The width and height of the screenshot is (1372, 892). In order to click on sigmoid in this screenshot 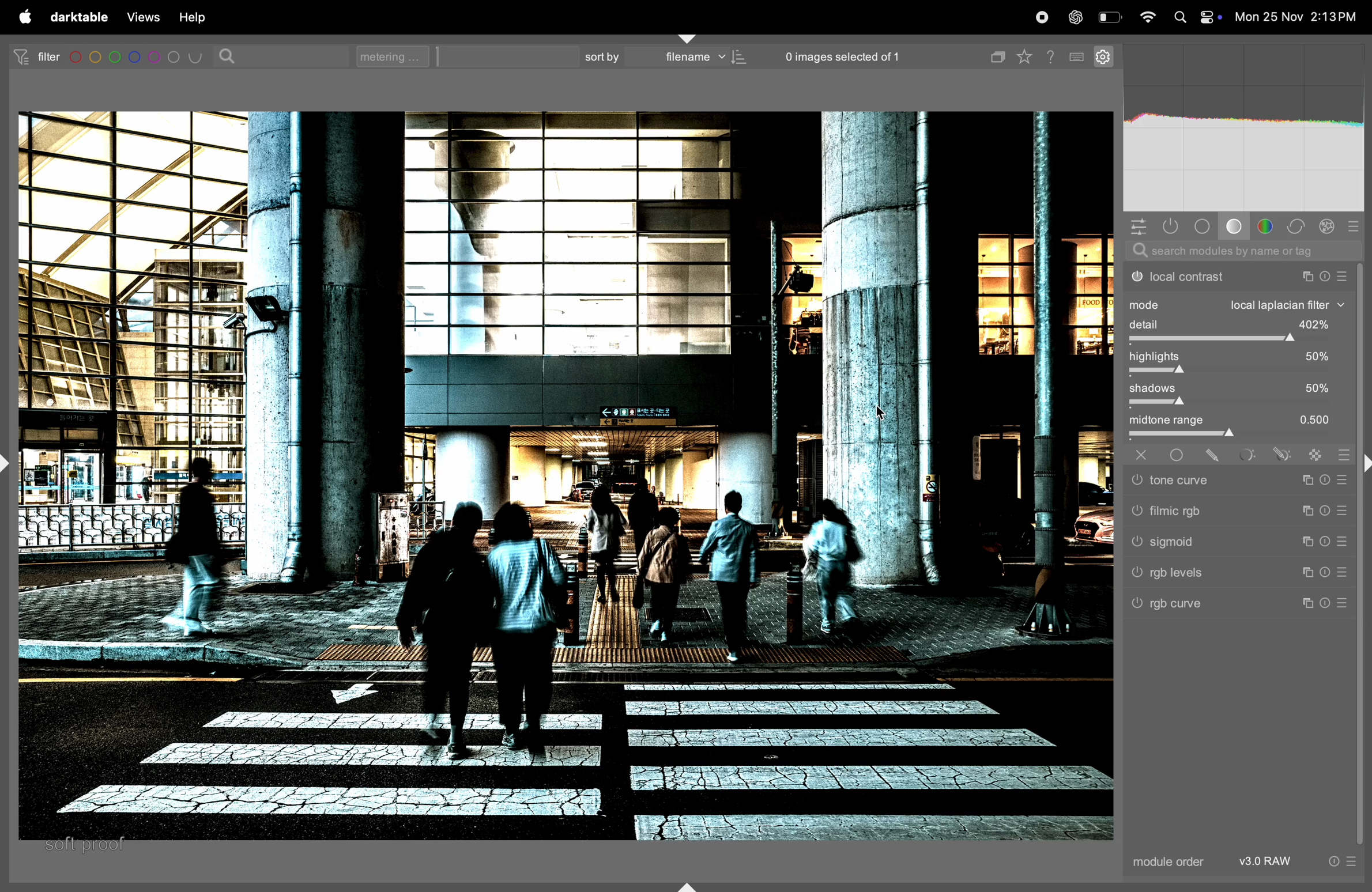, I will do `click(1229, 542)`.